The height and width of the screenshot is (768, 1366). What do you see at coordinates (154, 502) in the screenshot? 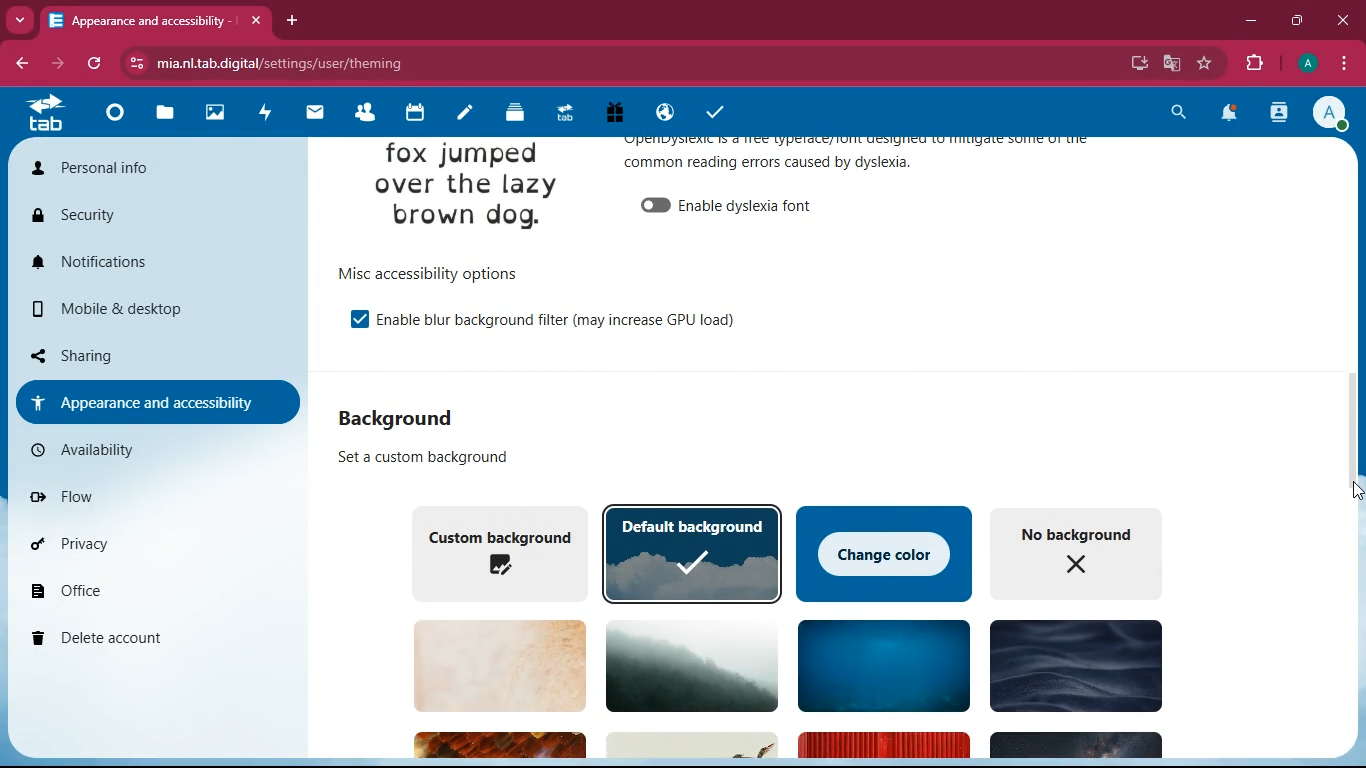
I see `flow` at bounding box center [154, 502].